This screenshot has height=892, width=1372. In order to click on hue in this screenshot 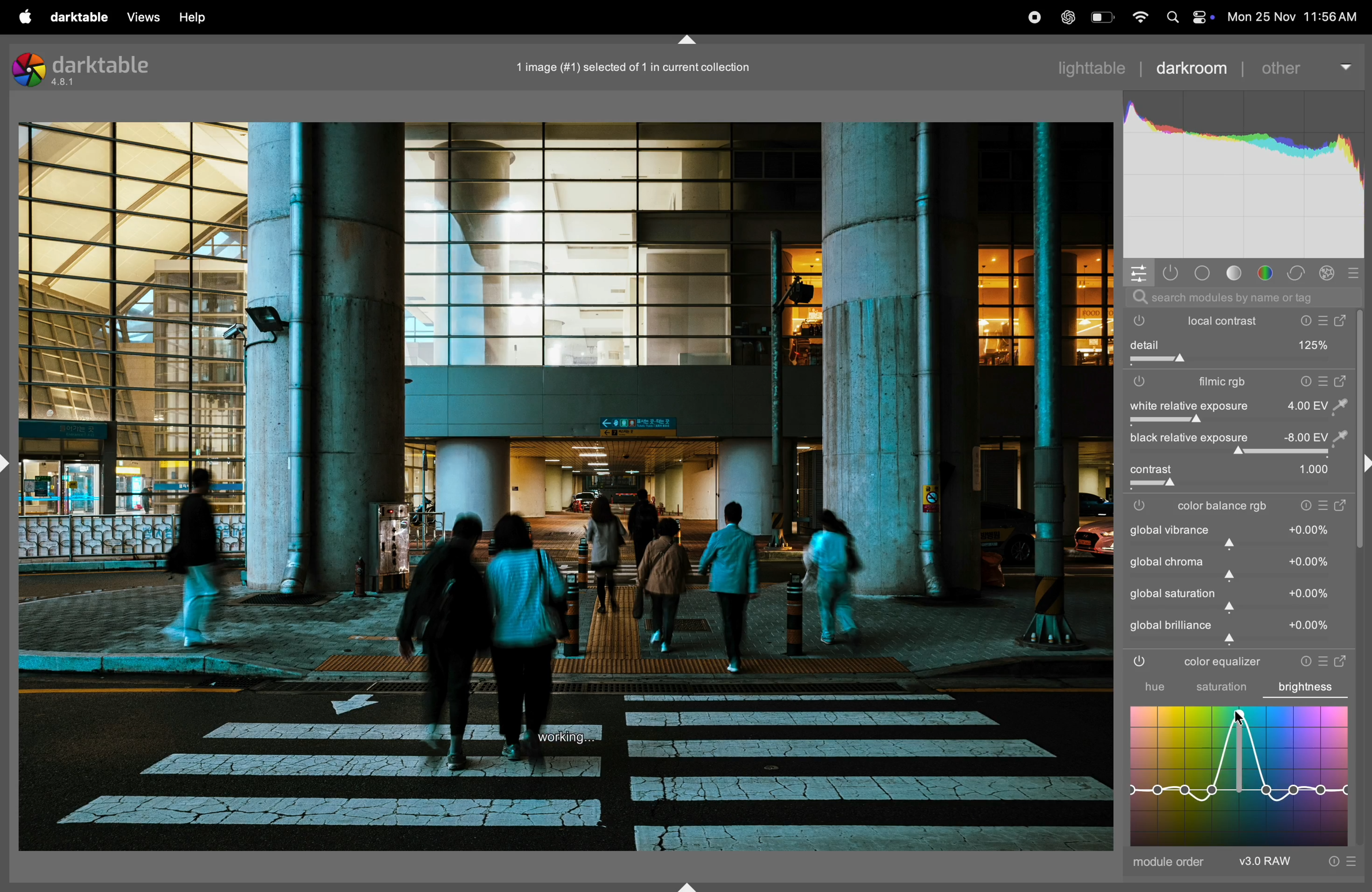, I will do `click(1144, 687)`.